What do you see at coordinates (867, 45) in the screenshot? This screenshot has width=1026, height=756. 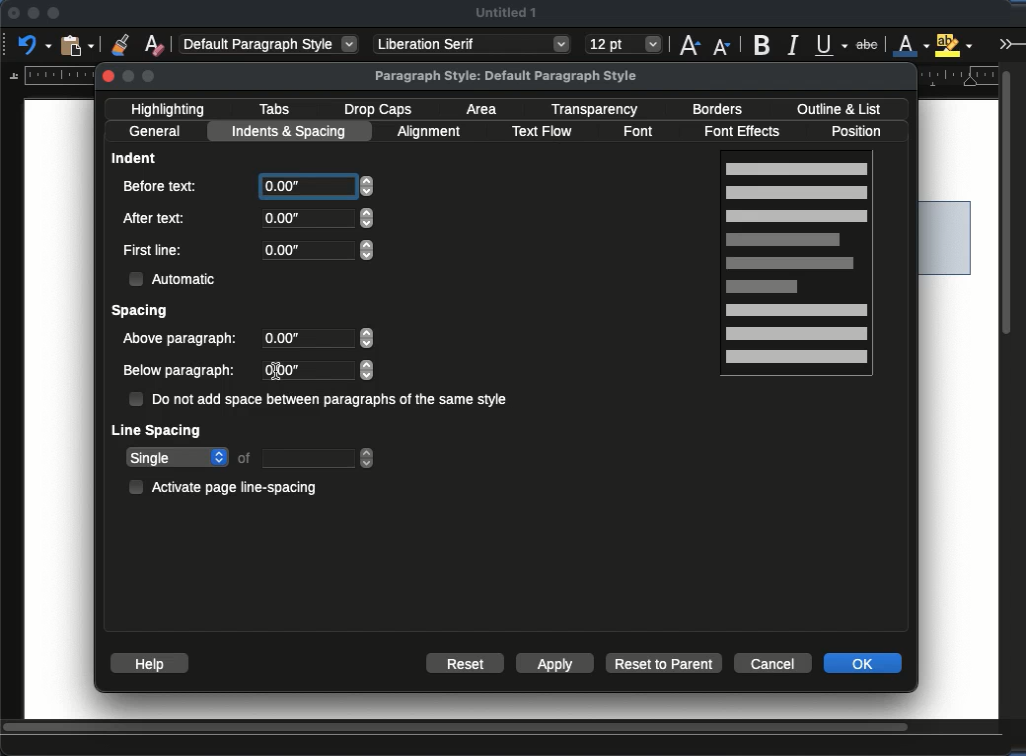 I see `strikethrough` at bounding box center [867, 45].